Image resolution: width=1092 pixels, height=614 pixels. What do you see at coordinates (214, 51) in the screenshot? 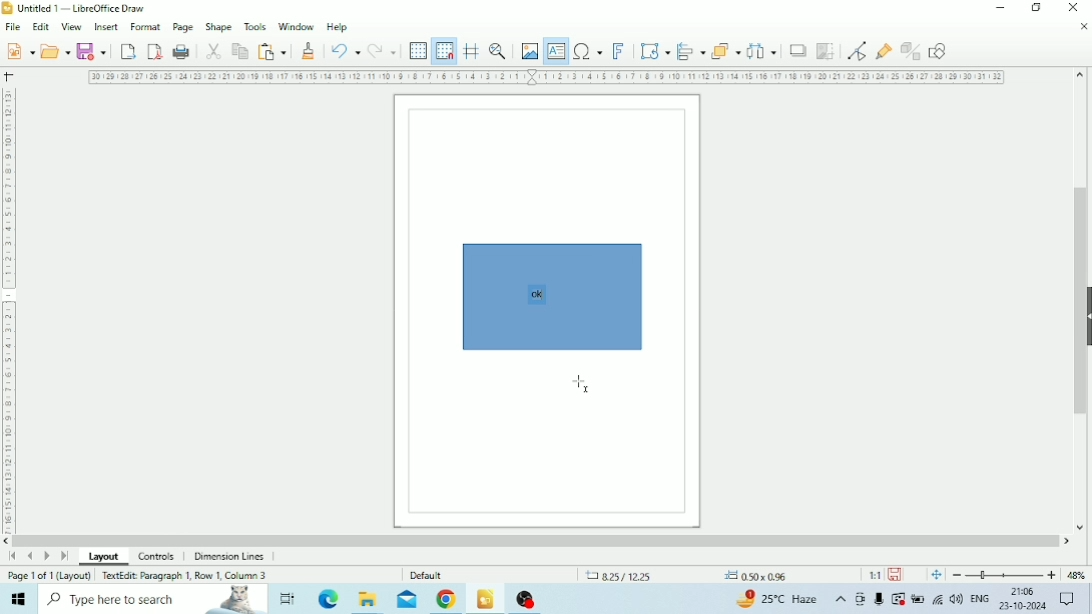
I see `Cut` at bounding box center [214, 51].